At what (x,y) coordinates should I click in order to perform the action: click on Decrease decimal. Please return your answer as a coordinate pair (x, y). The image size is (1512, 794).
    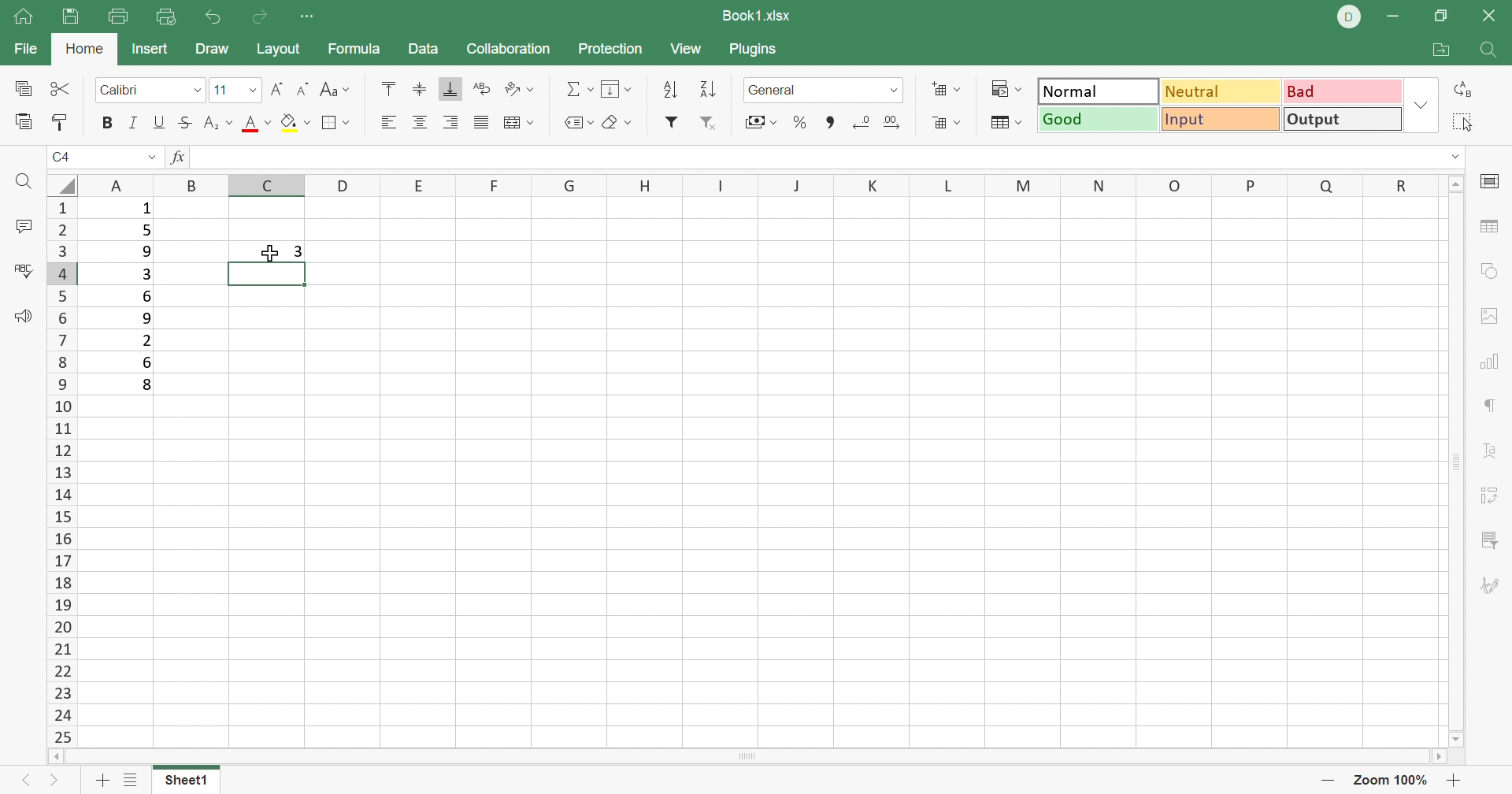
    Looking at the image, I should click on (861, 120).